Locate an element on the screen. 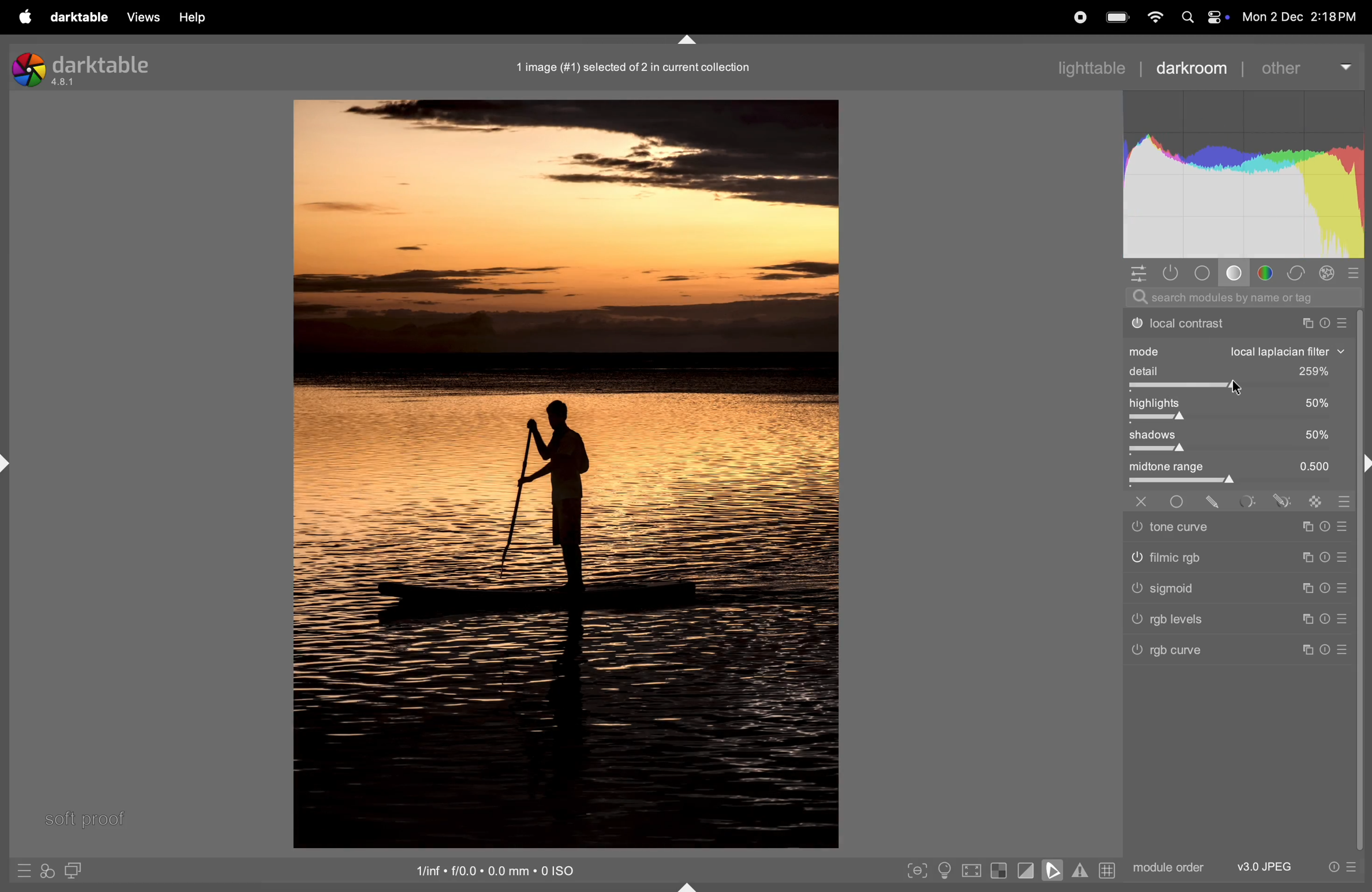  toggle high quality processing is located at coordinates (969, 870).